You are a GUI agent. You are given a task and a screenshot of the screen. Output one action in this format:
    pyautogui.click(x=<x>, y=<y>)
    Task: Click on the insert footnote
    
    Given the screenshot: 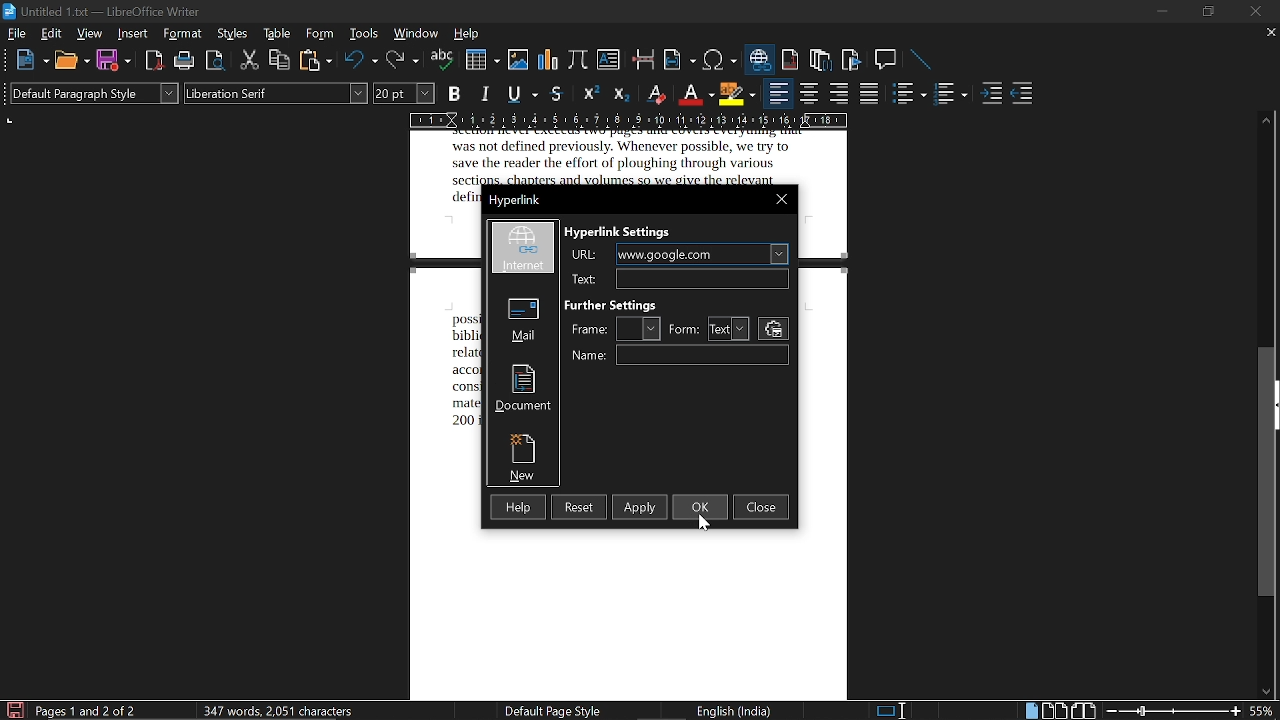 What is the action you would take?
    pyautogui.click(x=791, y=59)
    